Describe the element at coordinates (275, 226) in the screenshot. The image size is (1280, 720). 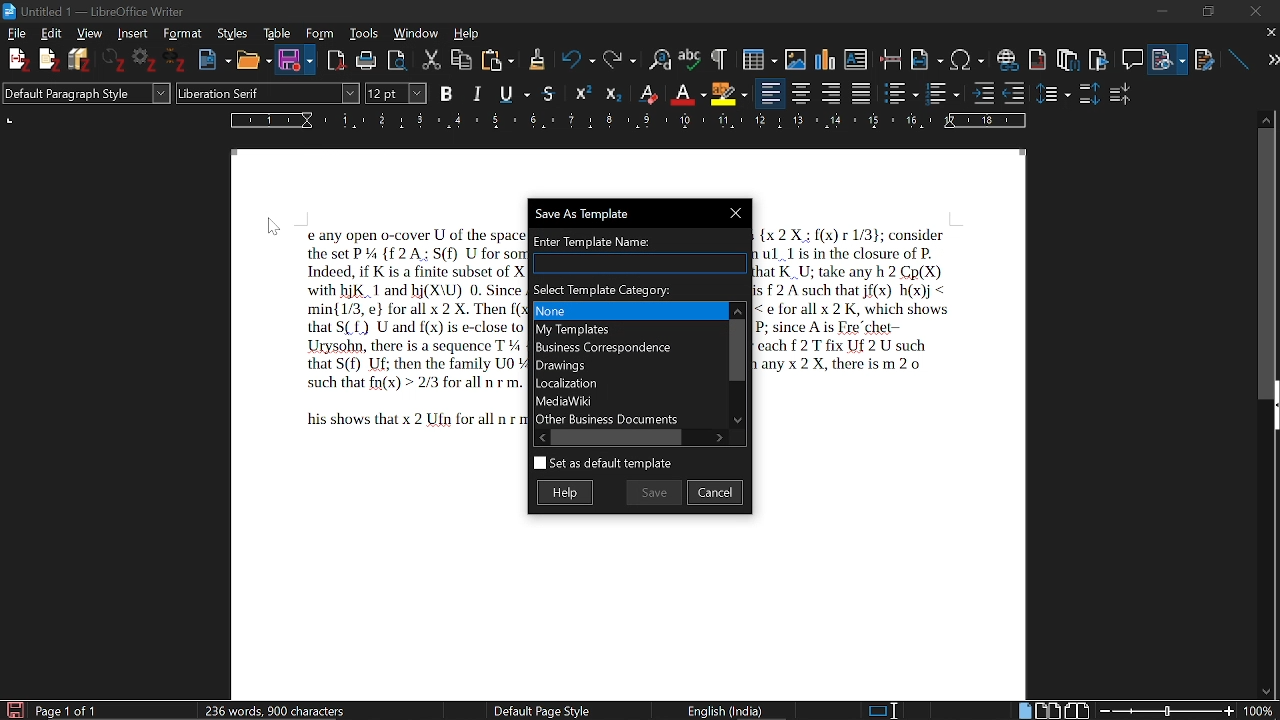
I see `cursor` at that location.